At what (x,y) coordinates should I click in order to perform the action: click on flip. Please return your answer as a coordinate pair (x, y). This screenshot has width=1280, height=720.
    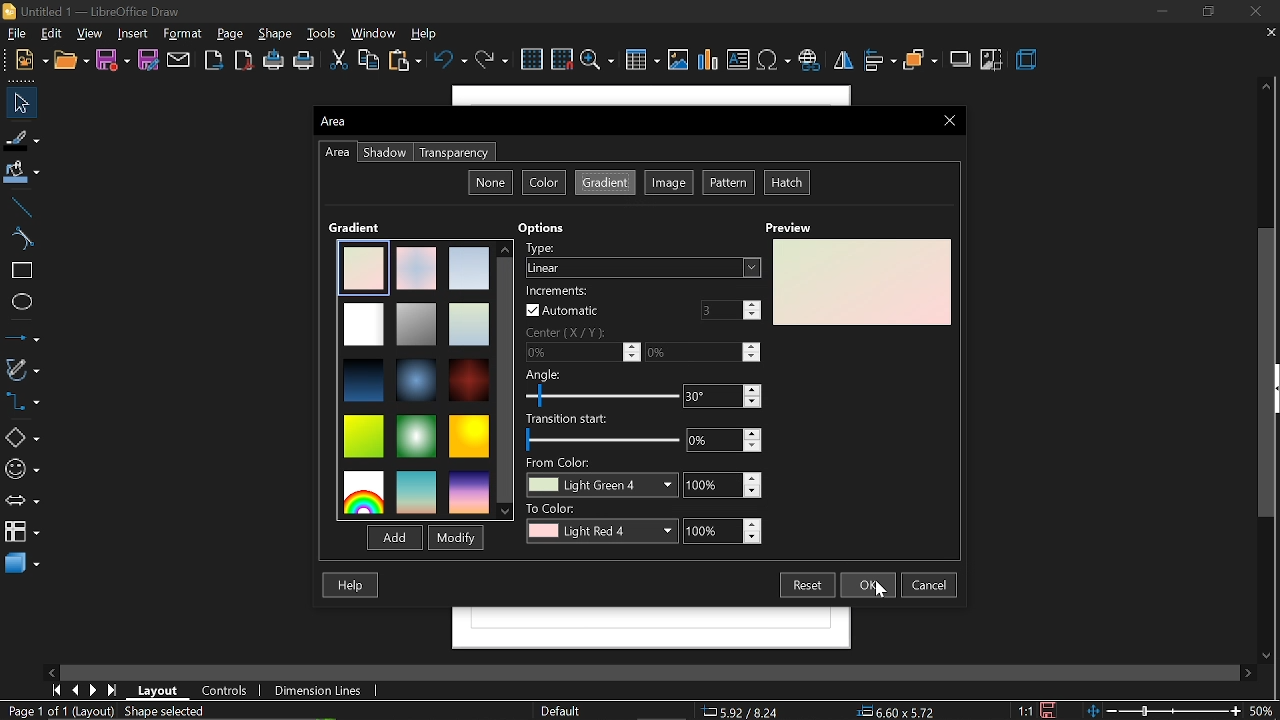
    Looking at the image, I should click on (845, 63).